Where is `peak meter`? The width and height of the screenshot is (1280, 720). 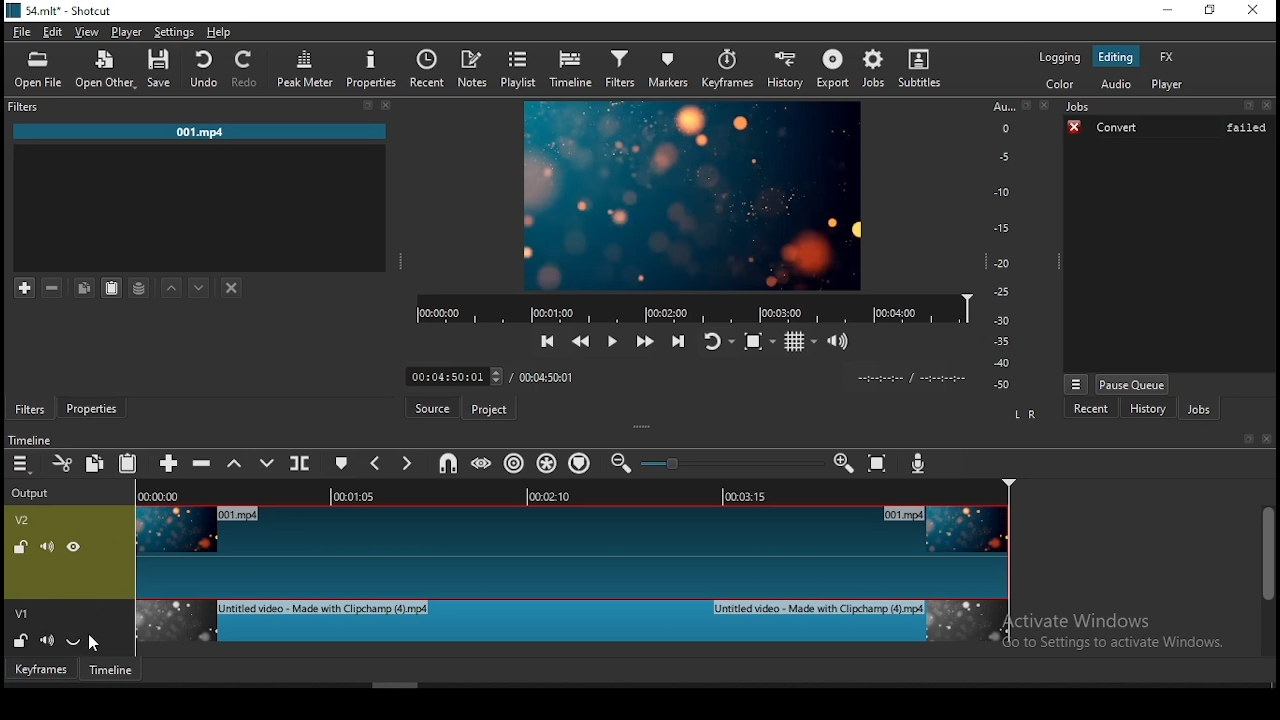
peak meter is located at coordinates (303, 68).